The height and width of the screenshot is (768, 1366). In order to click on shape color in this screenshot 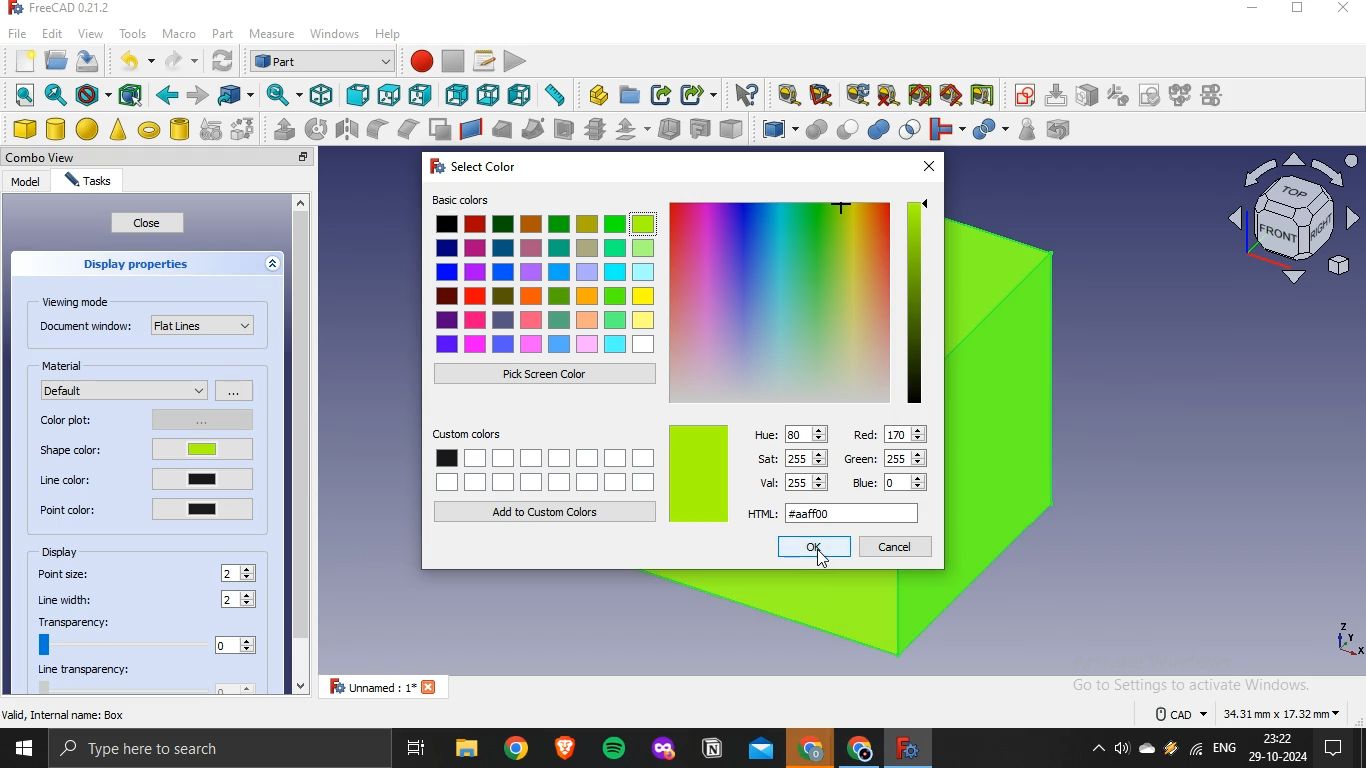, I will do `click(141, 451)`.